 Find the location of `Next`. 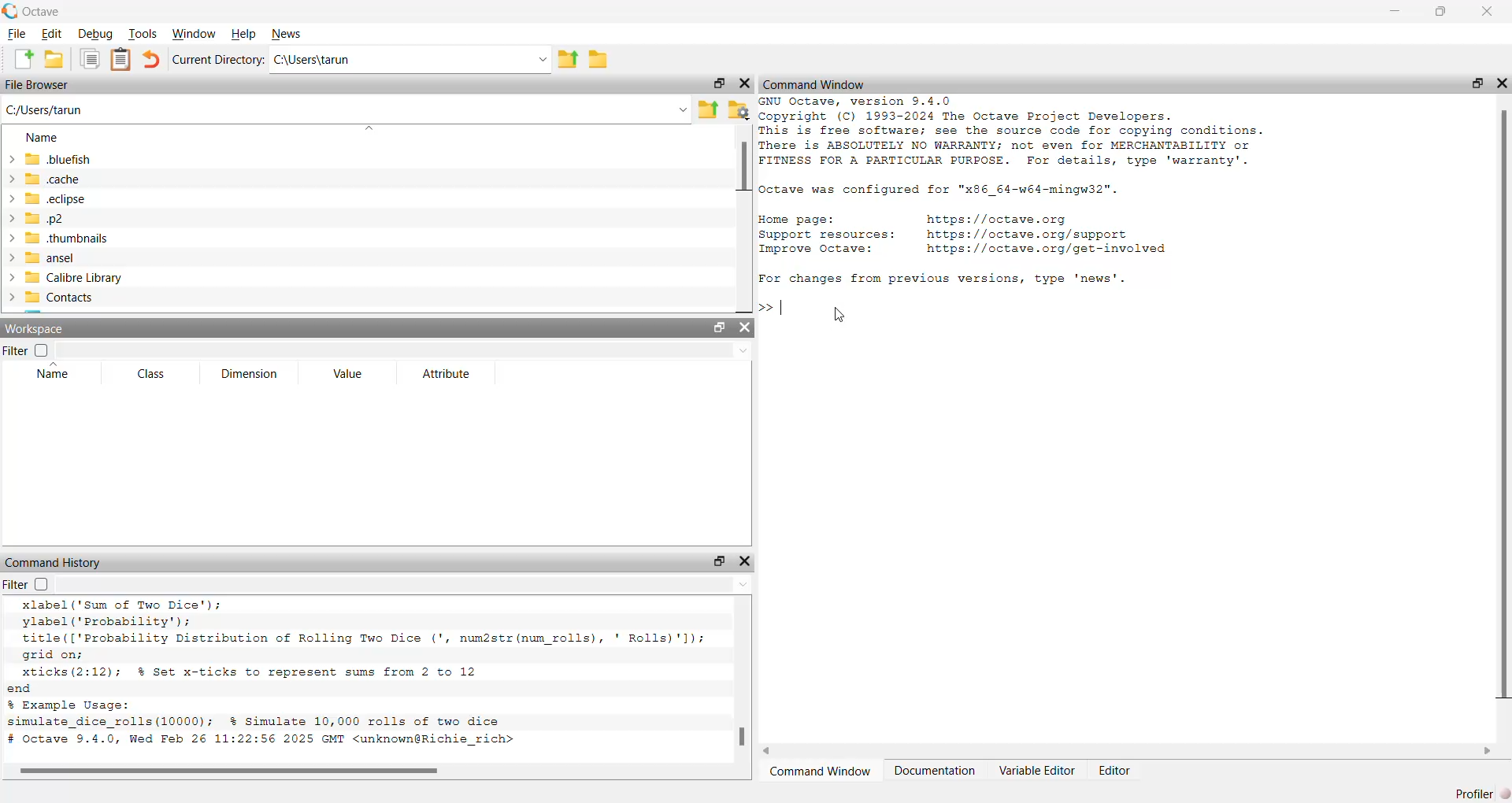

Next is located at coordinates (1484, 752).